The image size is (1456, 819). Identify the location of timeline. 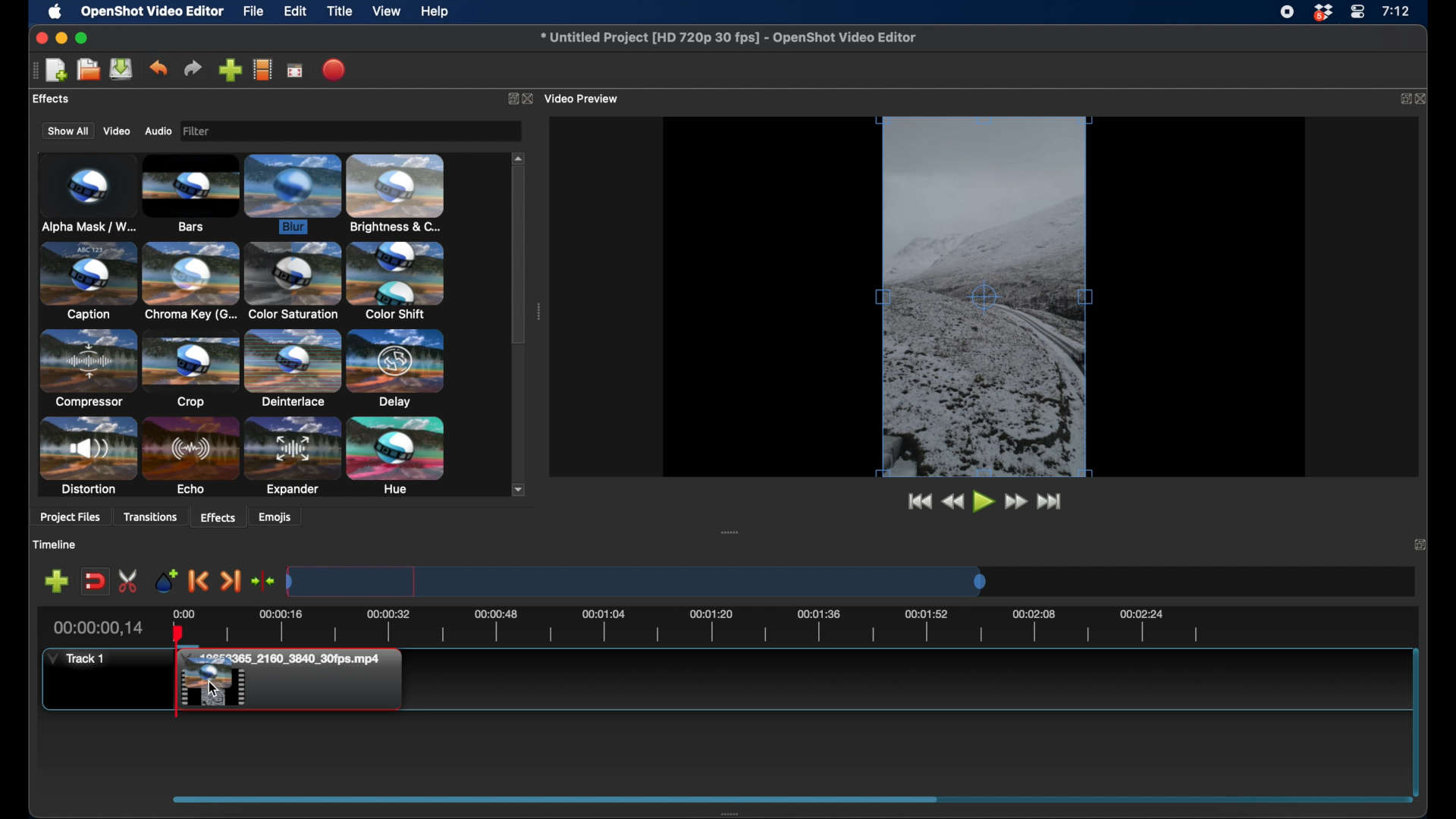
(54, 544).